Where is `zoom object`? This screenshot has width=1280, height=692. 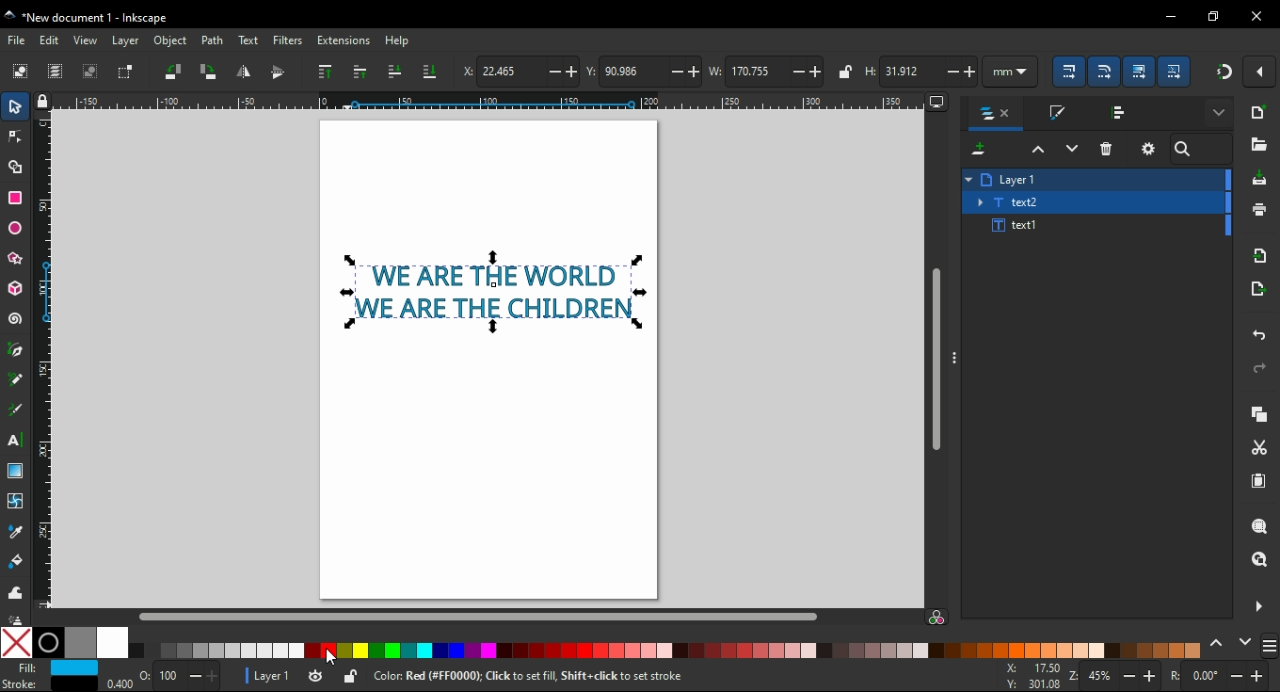
zoom object is located at coordinates (1258, 526).